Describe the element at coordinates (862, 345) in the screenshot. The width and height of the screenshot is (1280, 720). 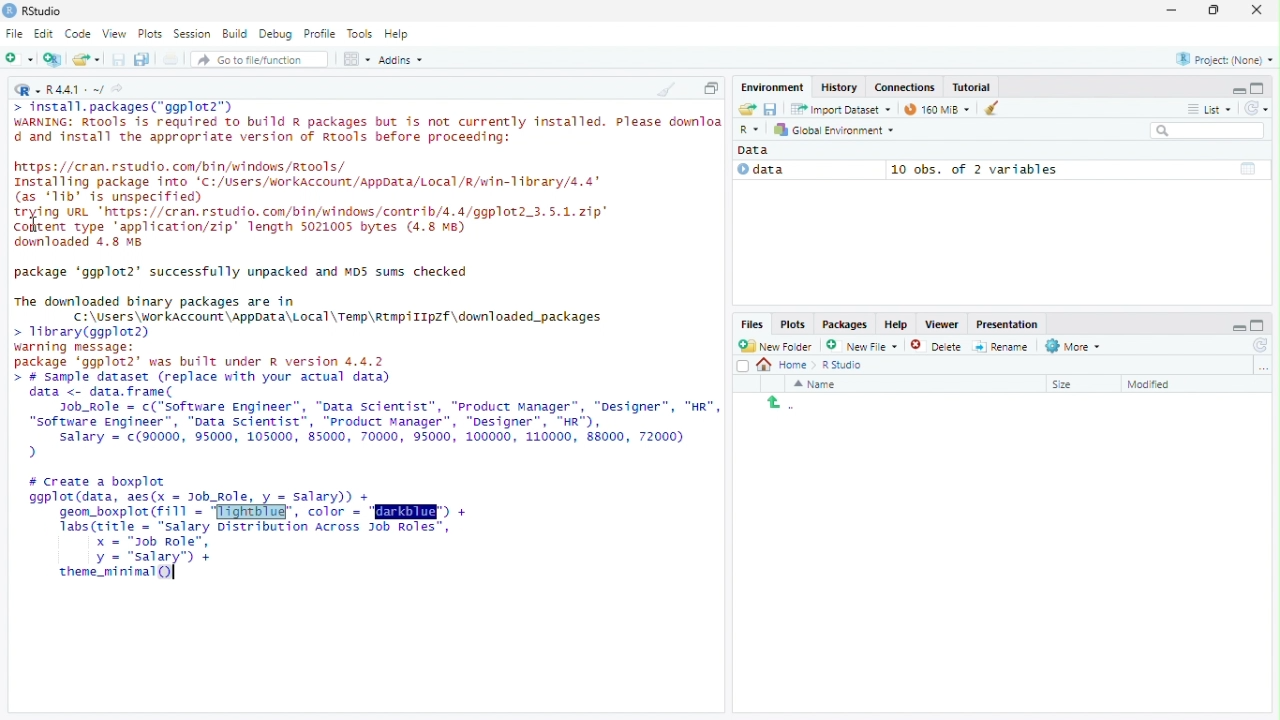
I see `Create new file` at that location.